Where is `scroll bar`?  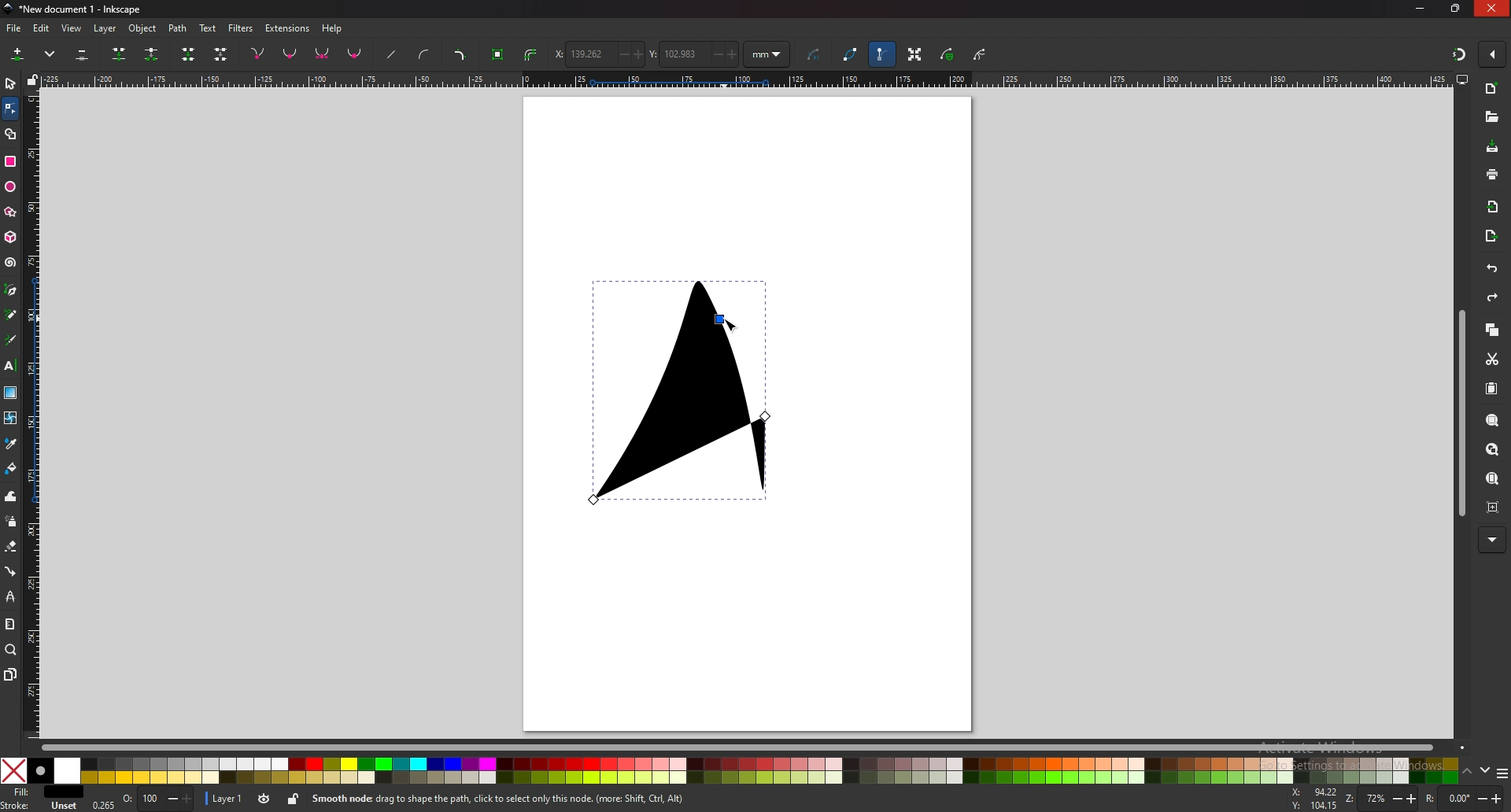
scroll bar is located at coordinates (1461, 414).